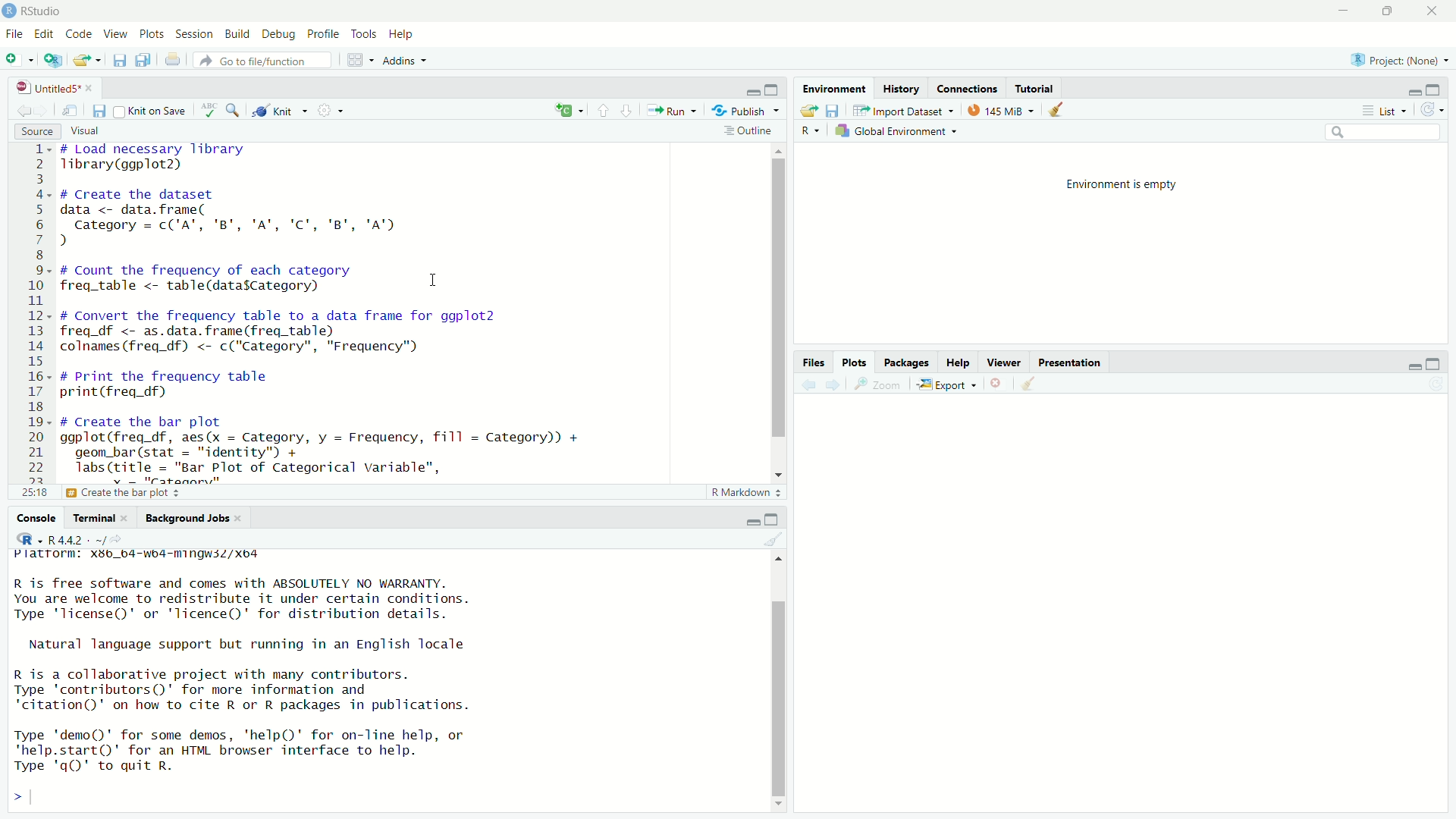 This screenshot has width=1456, height=819. I want to click on save, so click(122, 60).